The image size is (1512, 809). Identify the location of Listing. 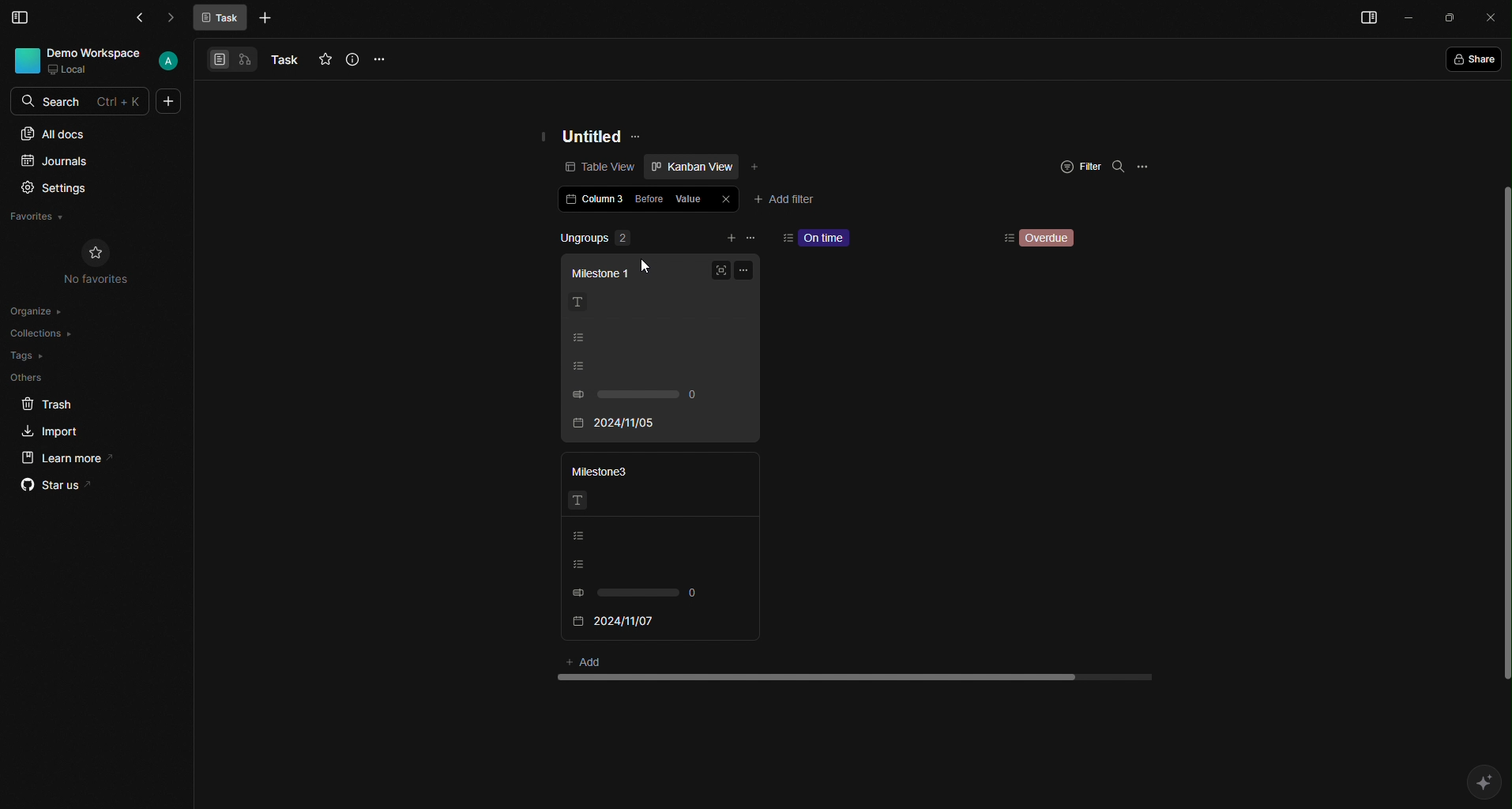
(624, 564).